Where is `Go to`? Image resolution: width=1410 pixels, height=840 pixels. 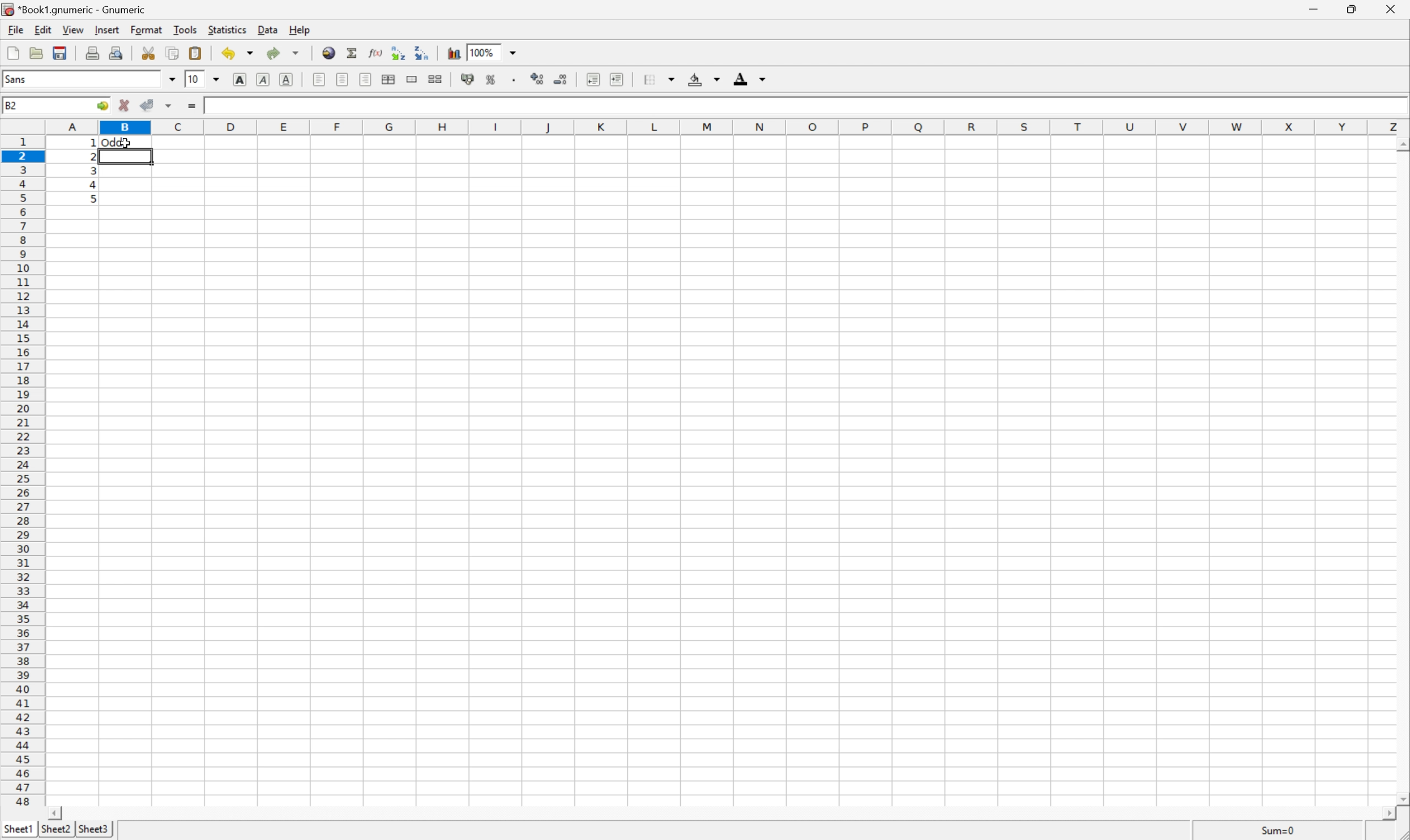 Go to is located at coordinates (102, 104).